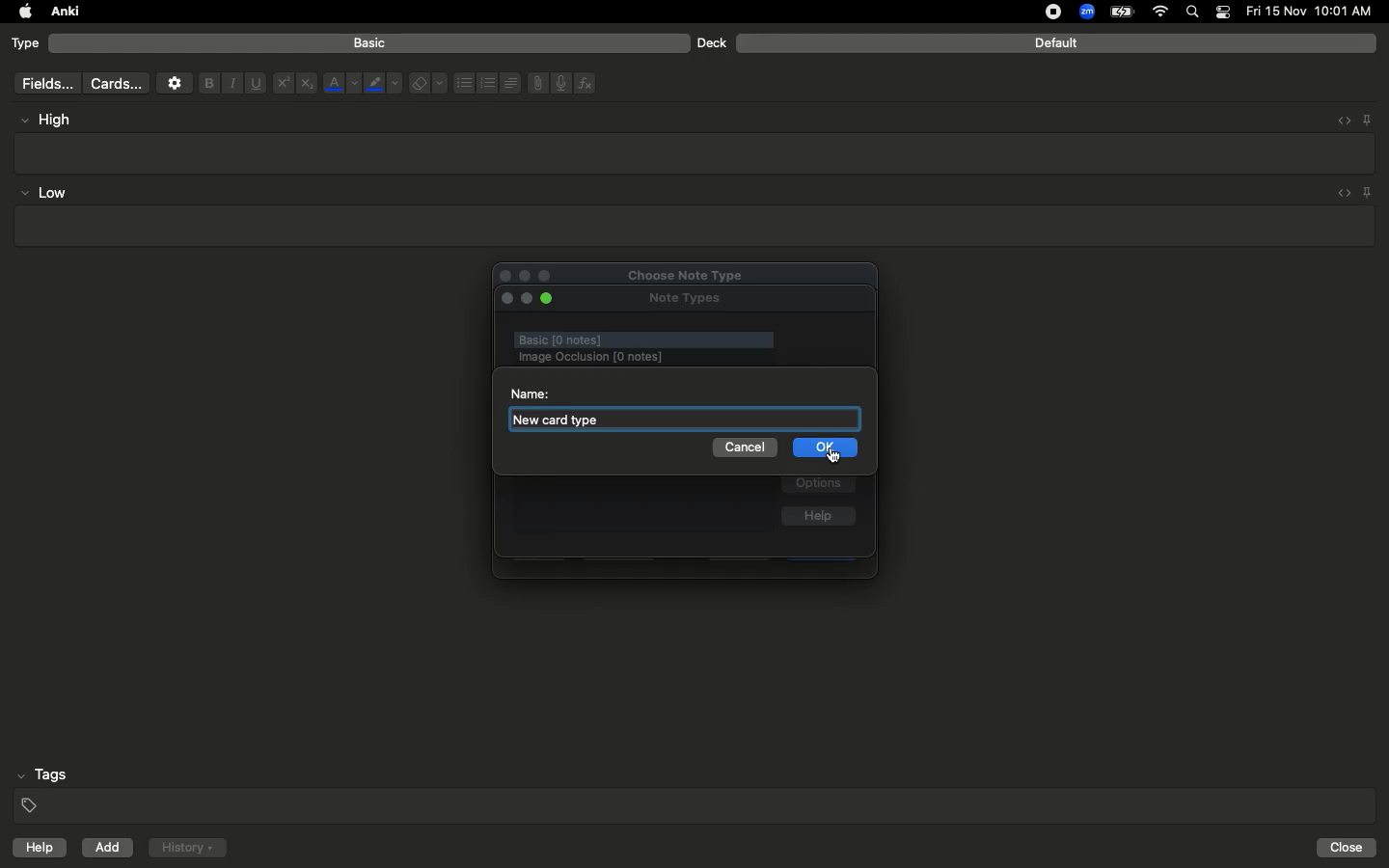  I want to click on History, so click(187, 848).